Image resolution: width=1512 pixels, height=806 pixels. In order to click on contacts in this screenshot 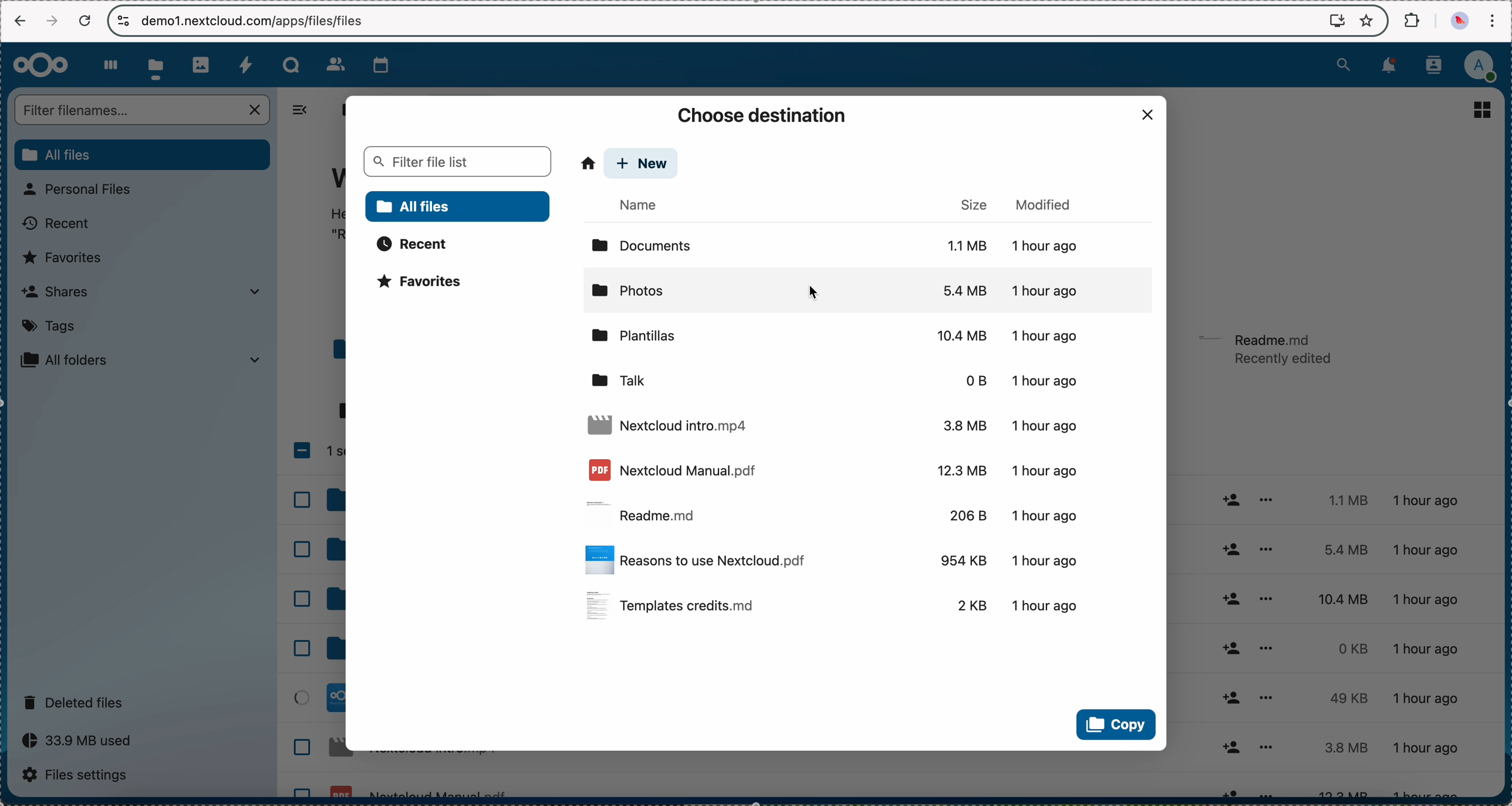, I will do `click(1437, 64)`.